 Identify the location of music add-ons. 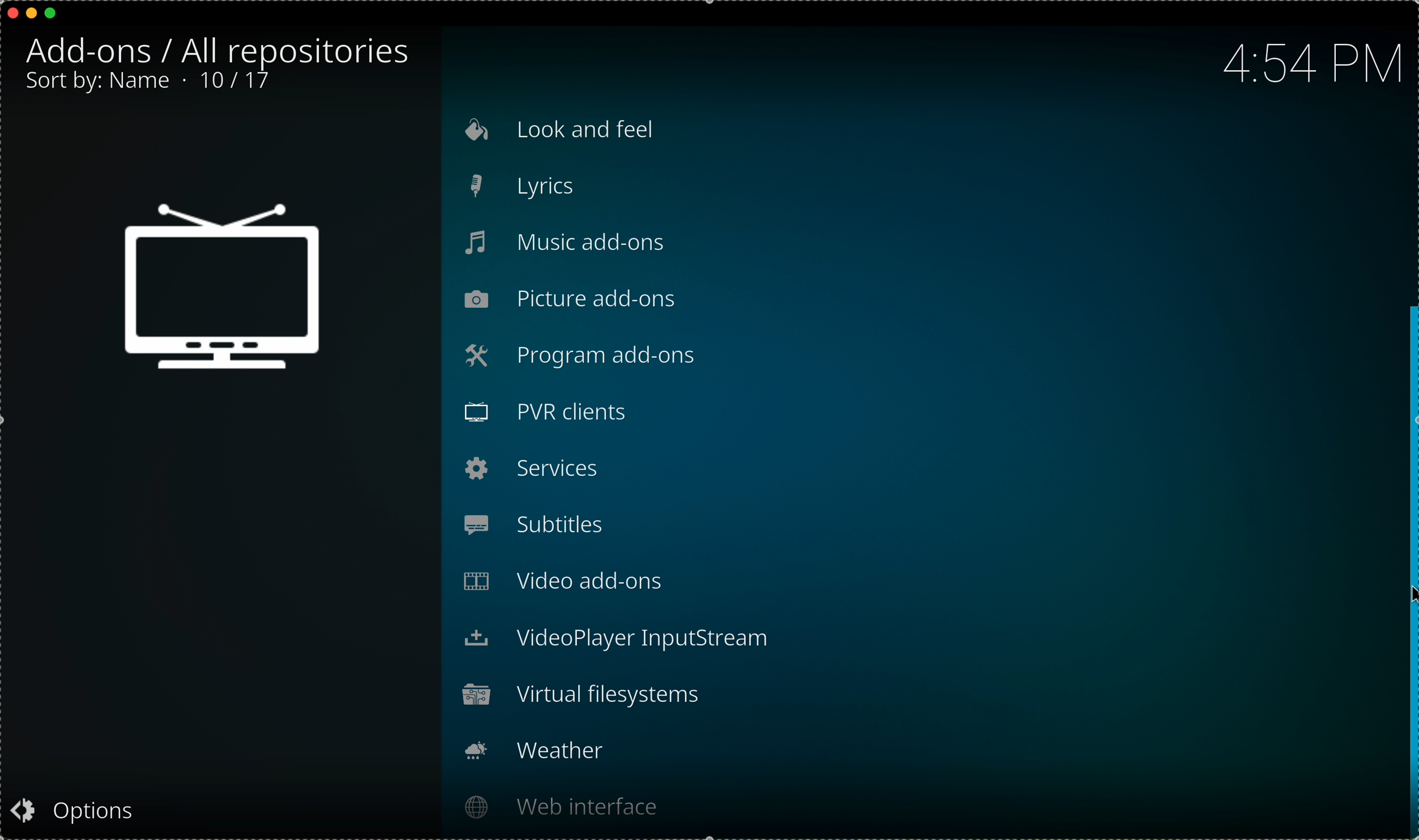
(571, 243).